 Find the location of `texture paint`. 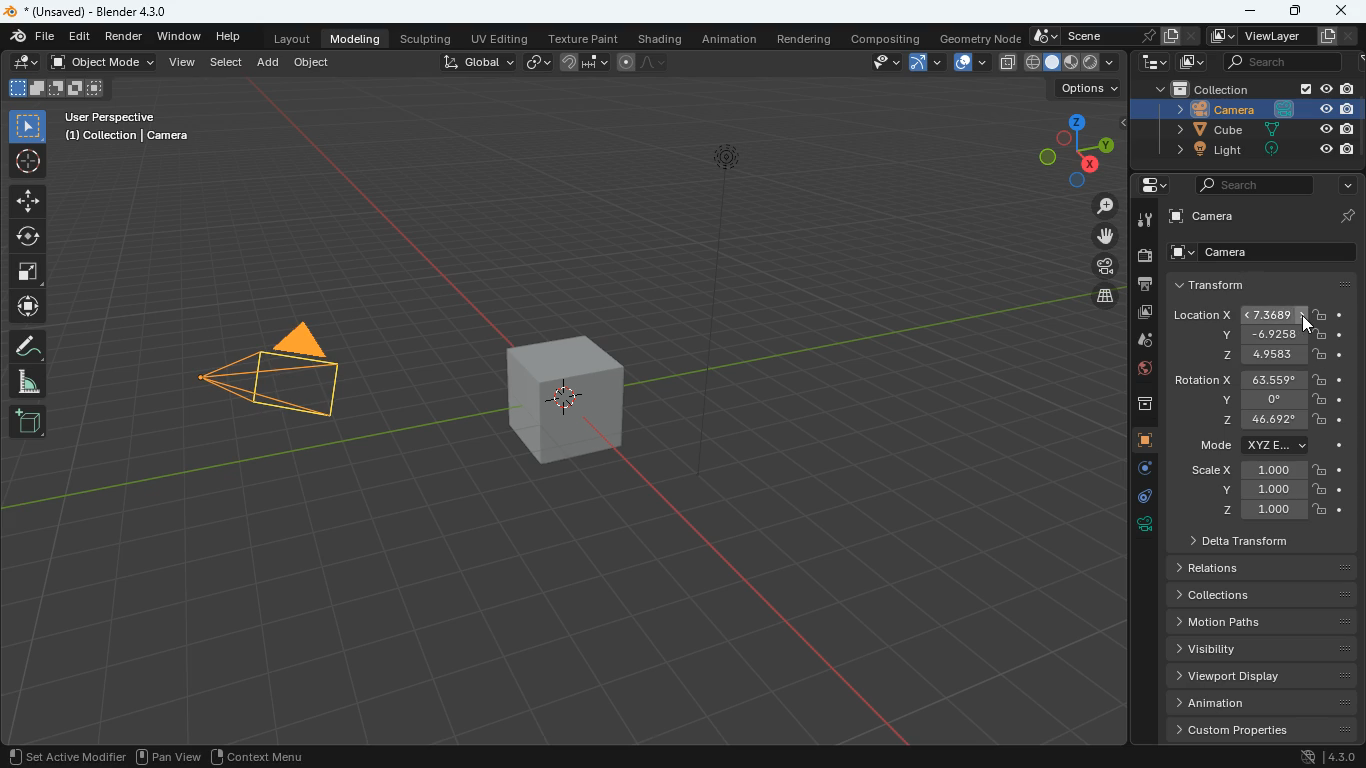

texture paint is located at coordinates (583, 38).